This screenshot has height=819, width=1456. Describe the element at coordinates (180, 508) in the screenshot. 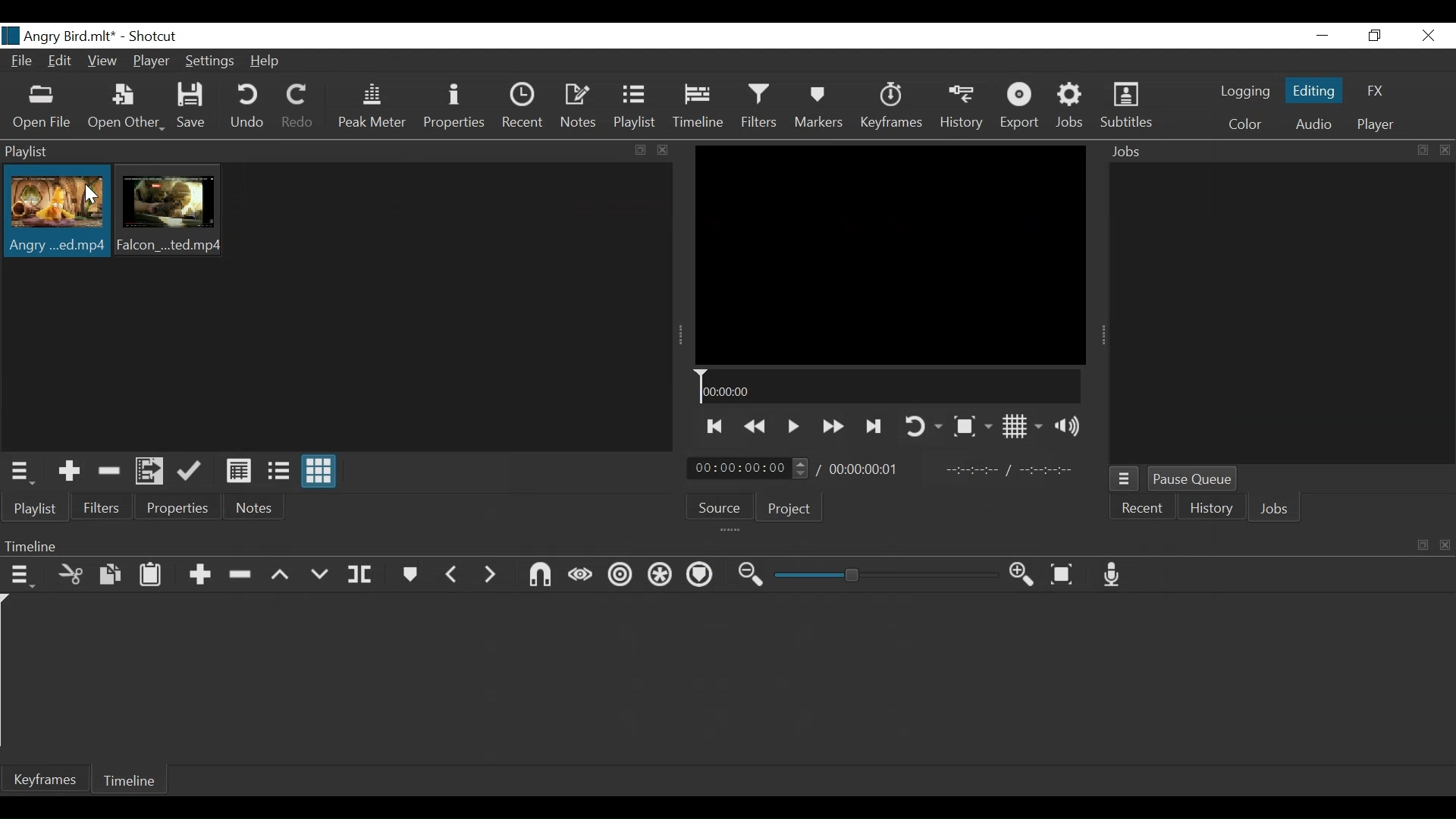

I see `Properties` at that location.